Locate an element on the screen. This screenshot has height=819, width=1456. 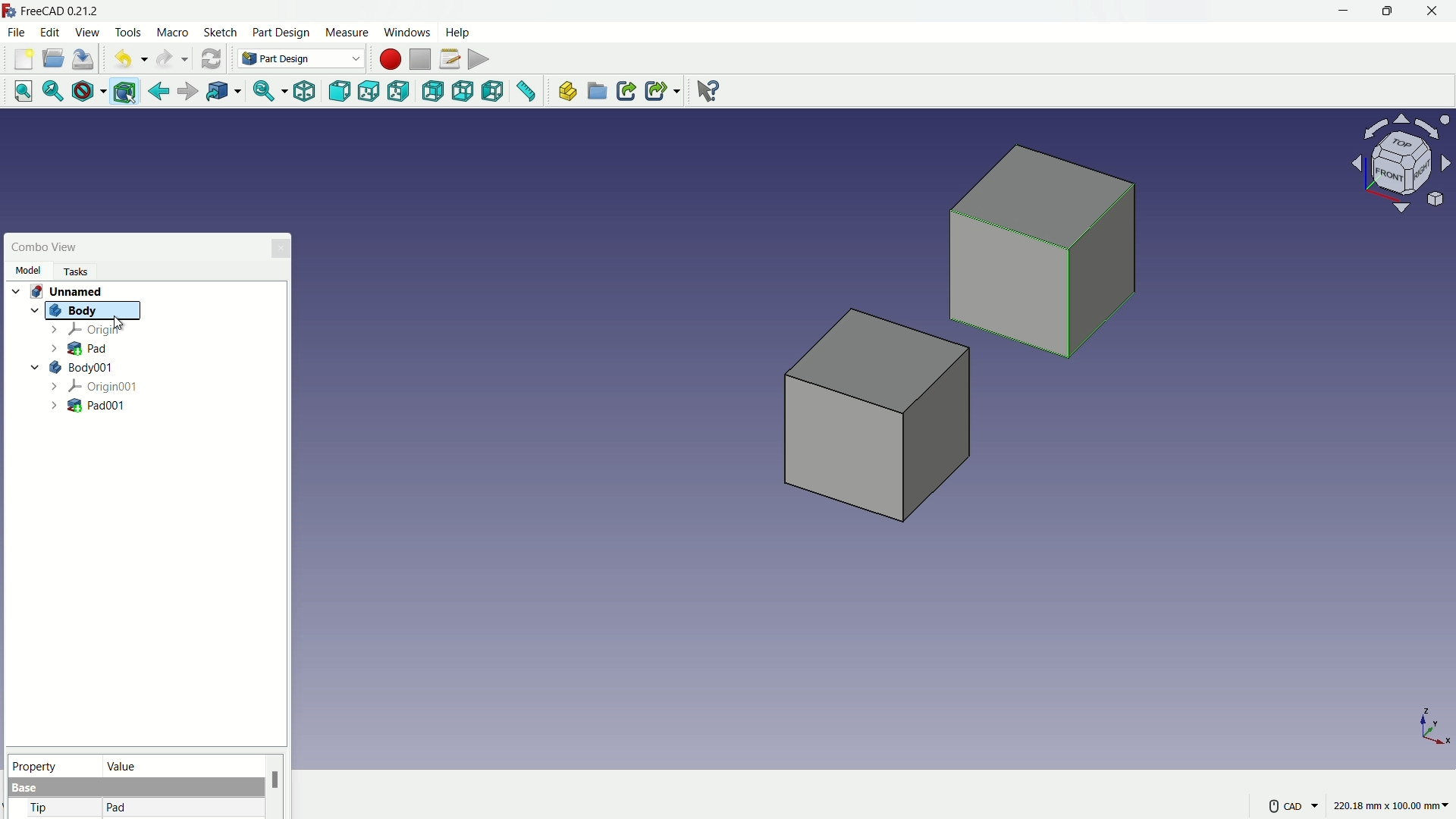
edit is located at coordinates (52, 32).